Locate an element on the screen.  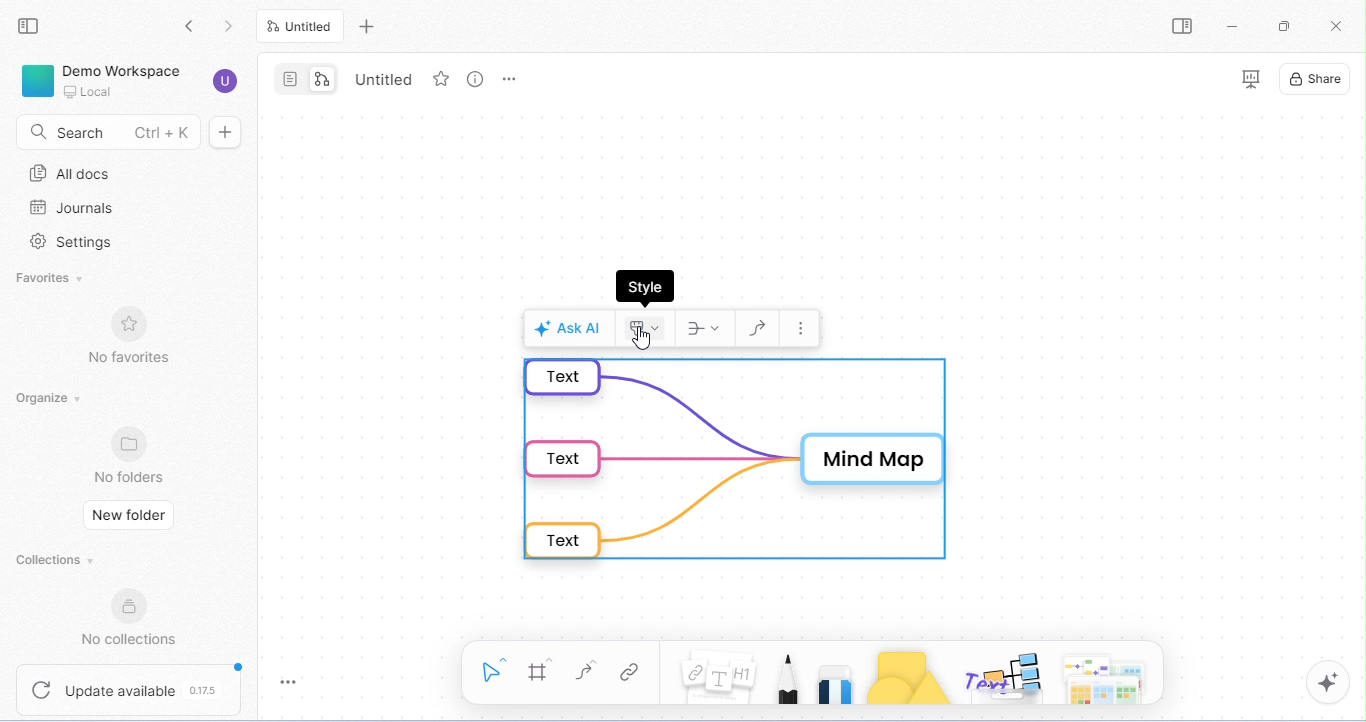
presentation is located at coordinates (1252, 80).